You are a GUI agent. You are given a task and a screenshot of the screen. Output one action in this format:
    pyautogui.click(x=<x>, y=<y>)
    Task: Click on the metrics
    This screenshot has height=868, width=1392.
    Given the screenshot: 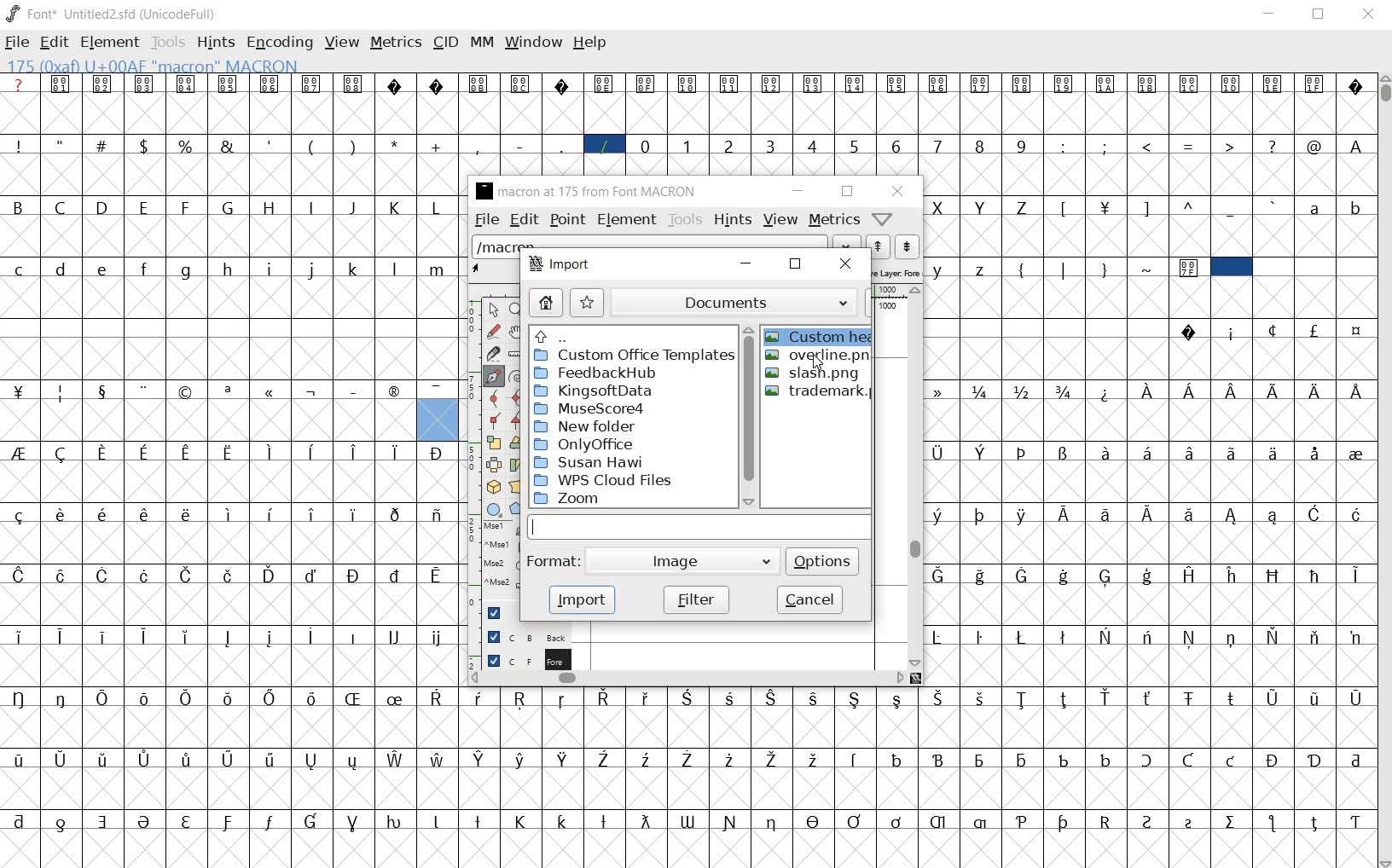 What is the action you would take?
    pyautogui.click(x=397, y=42)
    